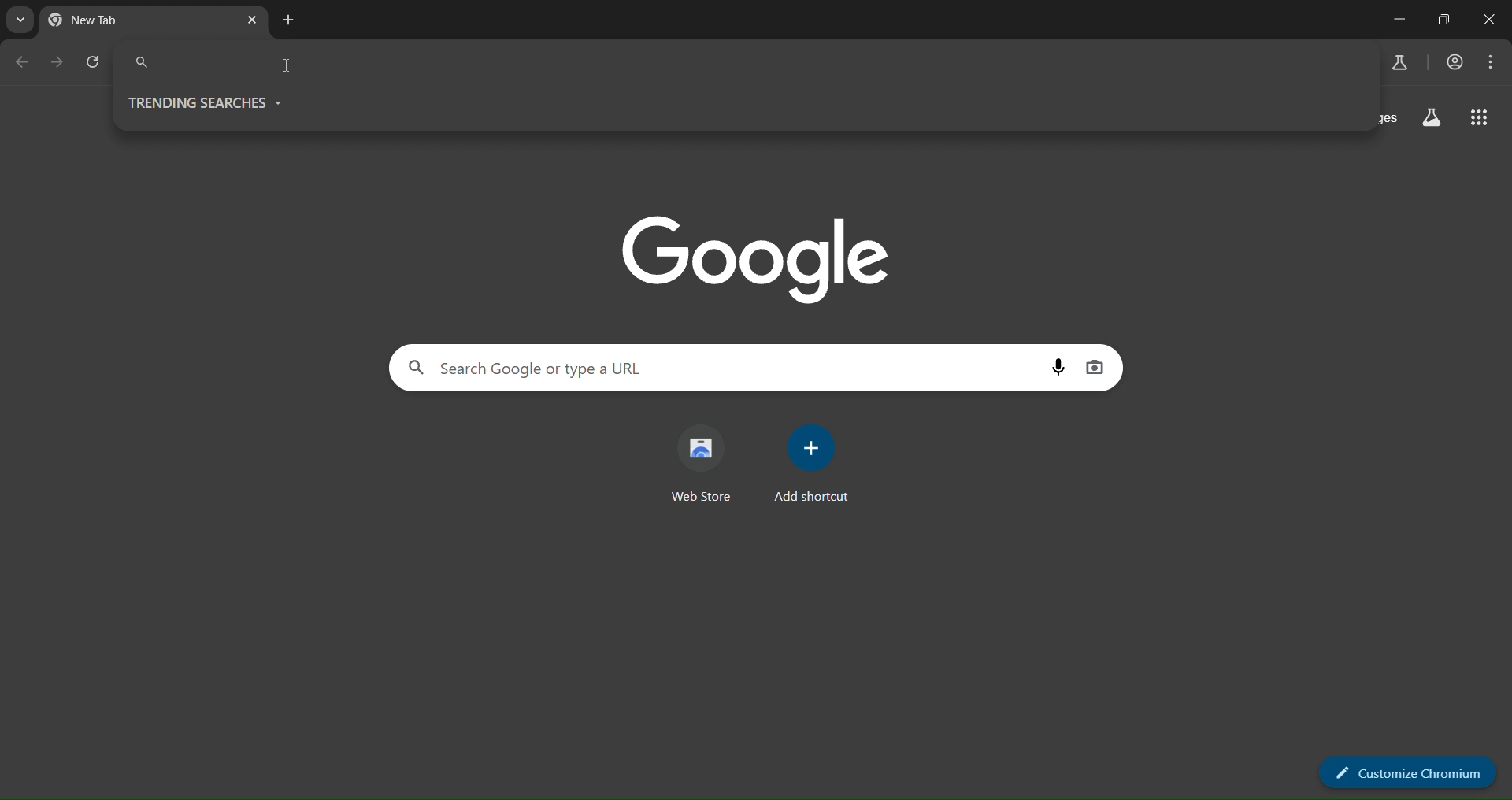 The image size is (1512, 800). What do you see at coordinates (1494, 22) in the screenshot?
I see `close` at bounding box center [1494, 22].